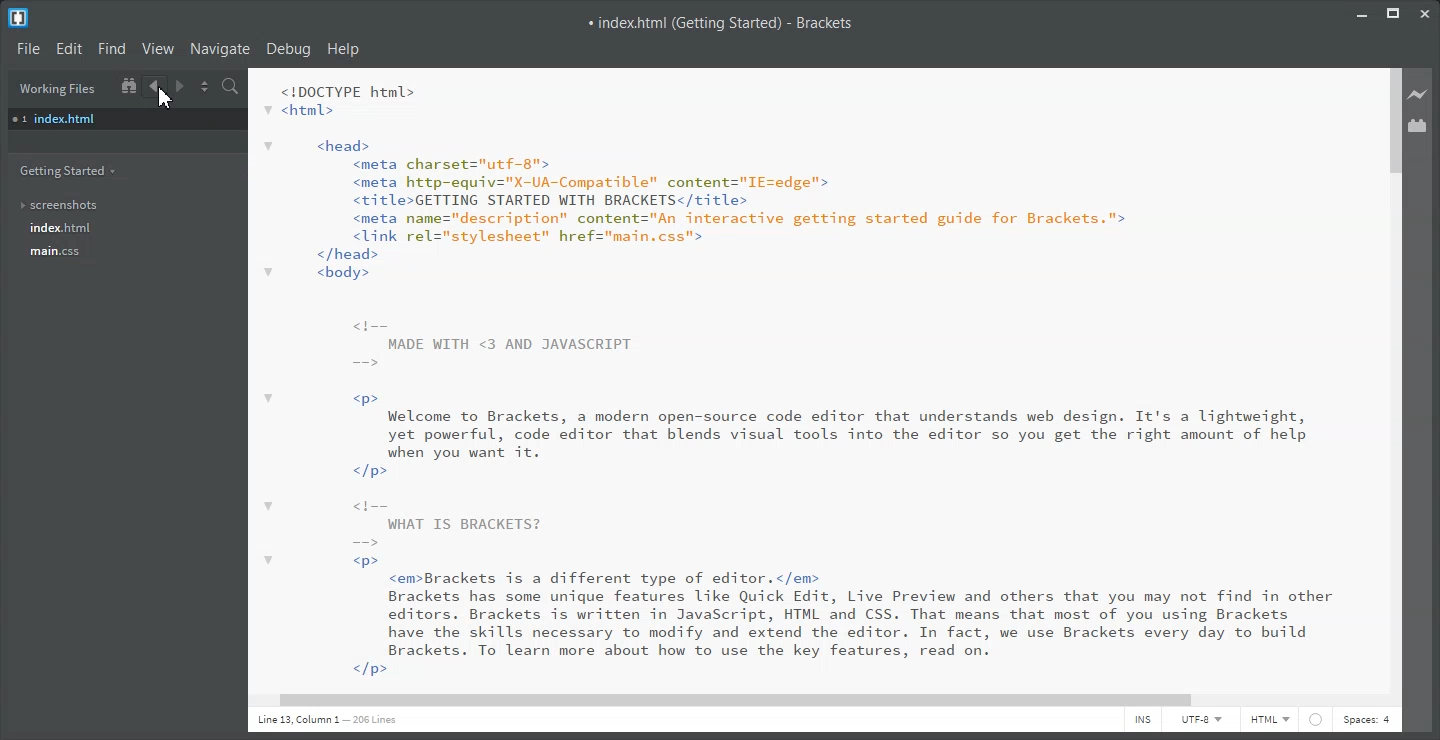 Image resolution: width=1440 pixels, height=740 pixels. I want to click on Text, so click(722, 23).